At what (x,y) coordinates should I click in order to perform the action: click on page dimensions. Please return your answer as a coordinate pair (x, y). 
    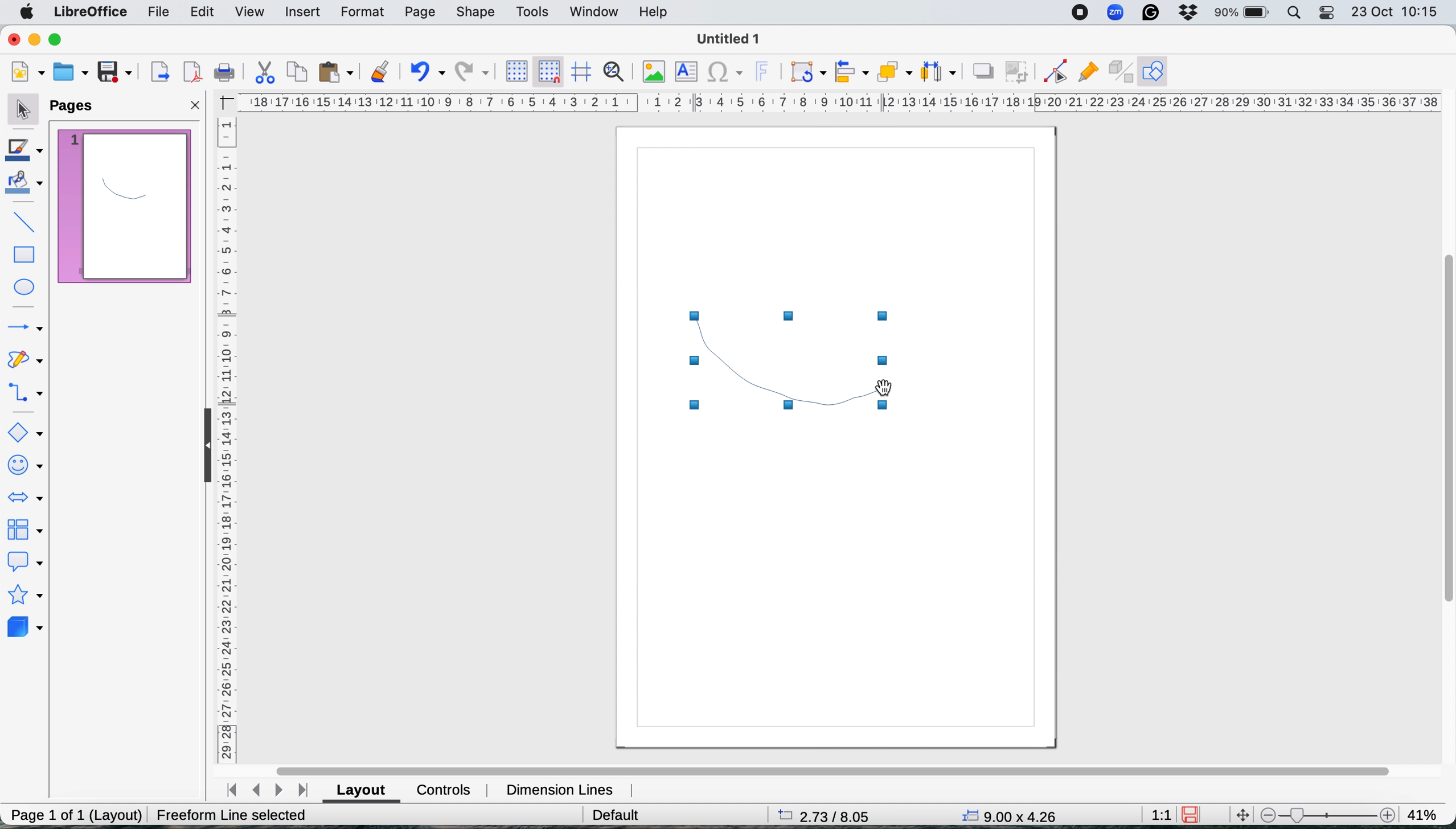
    Looking at the image, I should click on (836, 815).